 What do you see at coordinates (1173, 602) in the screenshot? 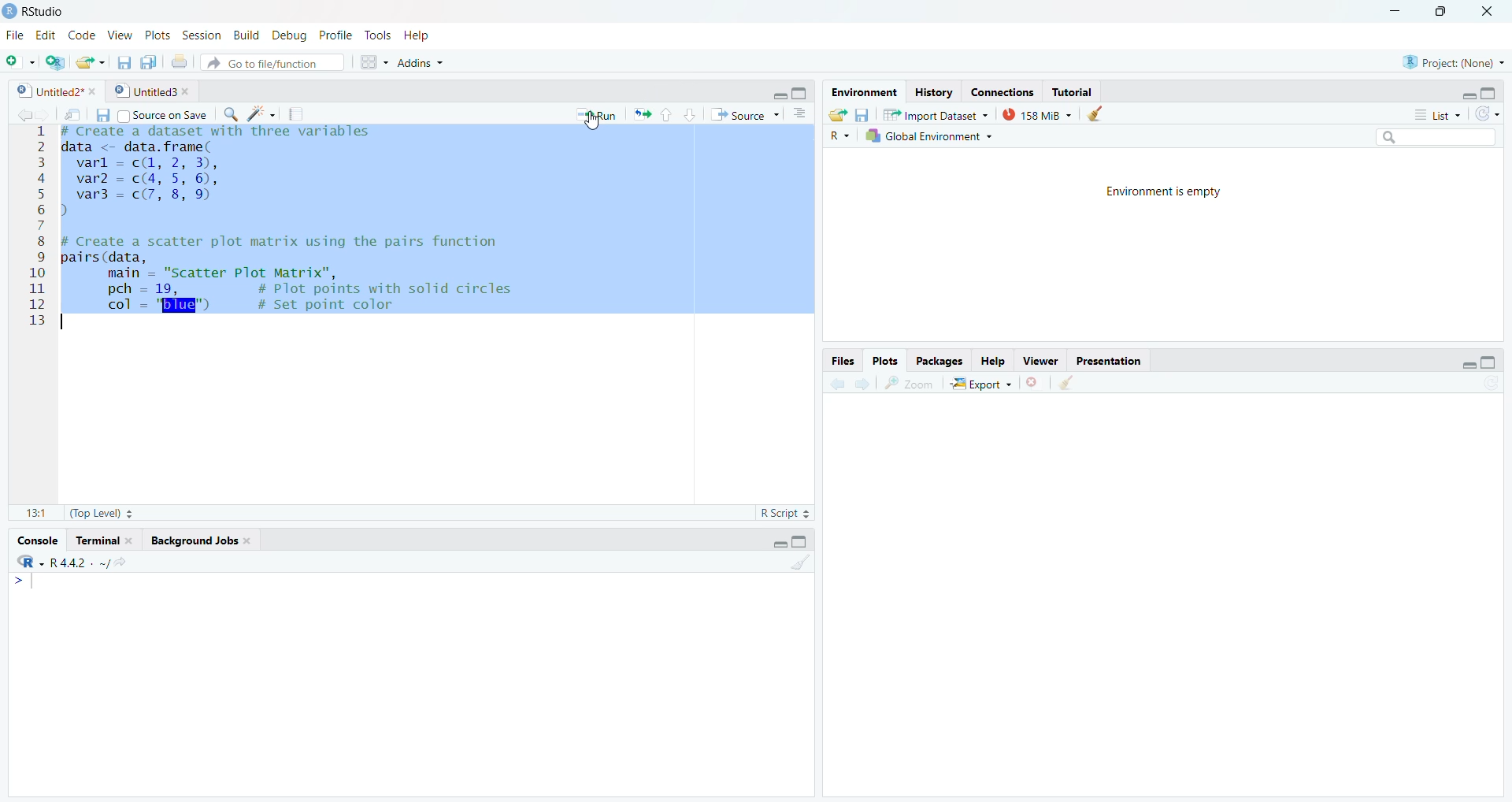
I see `Pane` at bounding box center [1173, 602].